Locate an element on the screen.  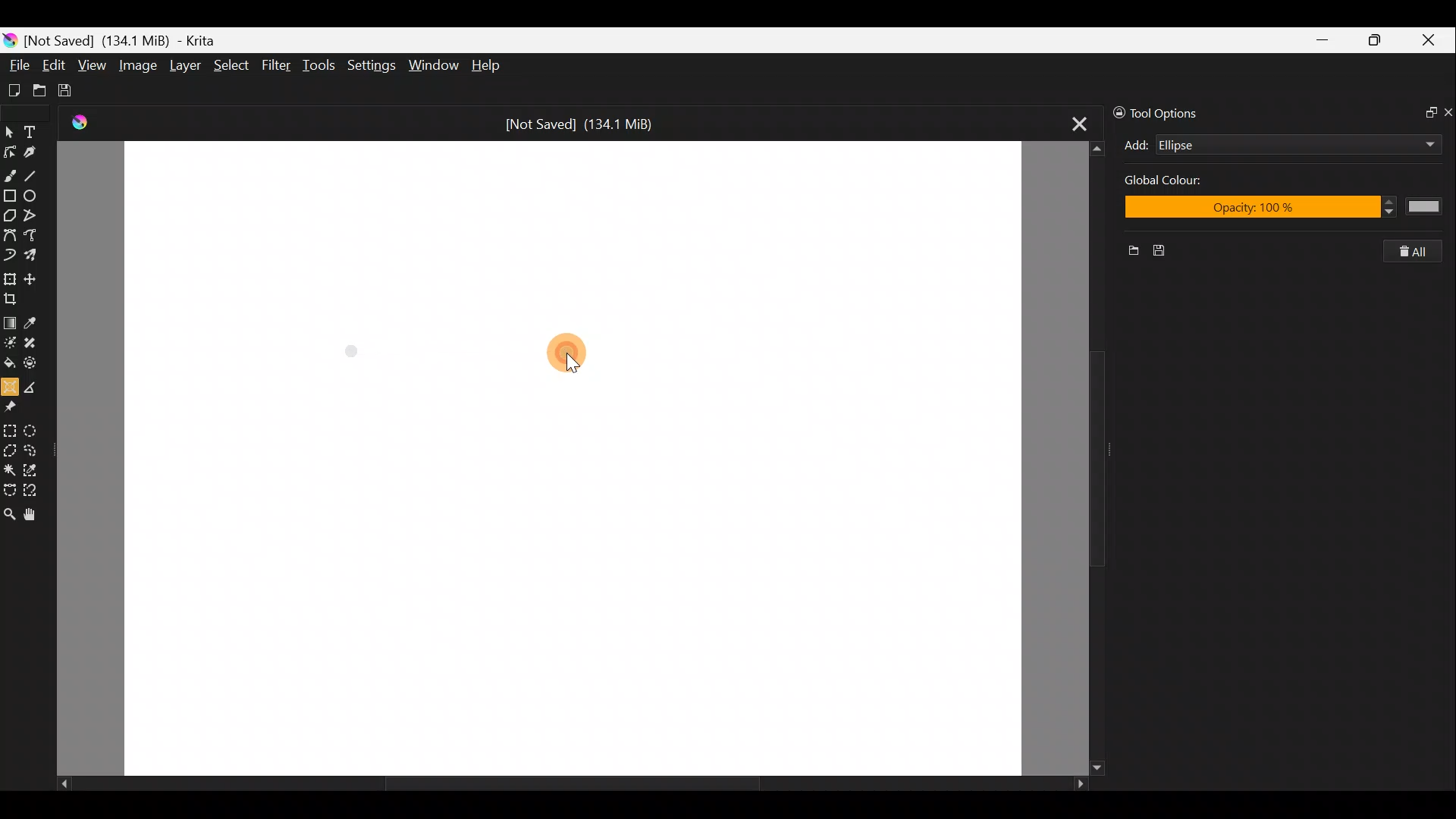
Ellipse is located at coordinates (1274, 145).